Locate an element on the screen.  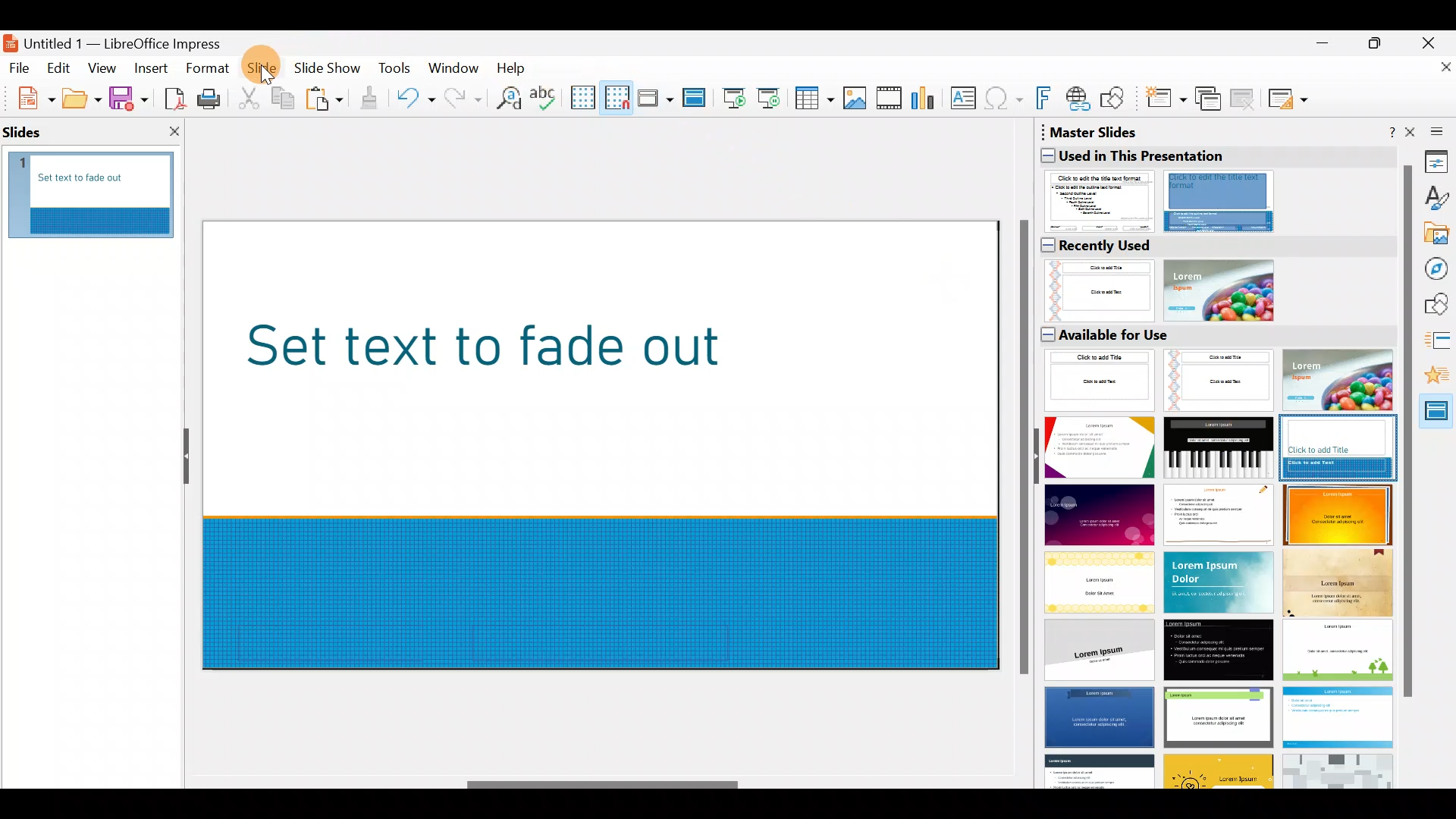
Minimise is located at coordinates (1320, 50).